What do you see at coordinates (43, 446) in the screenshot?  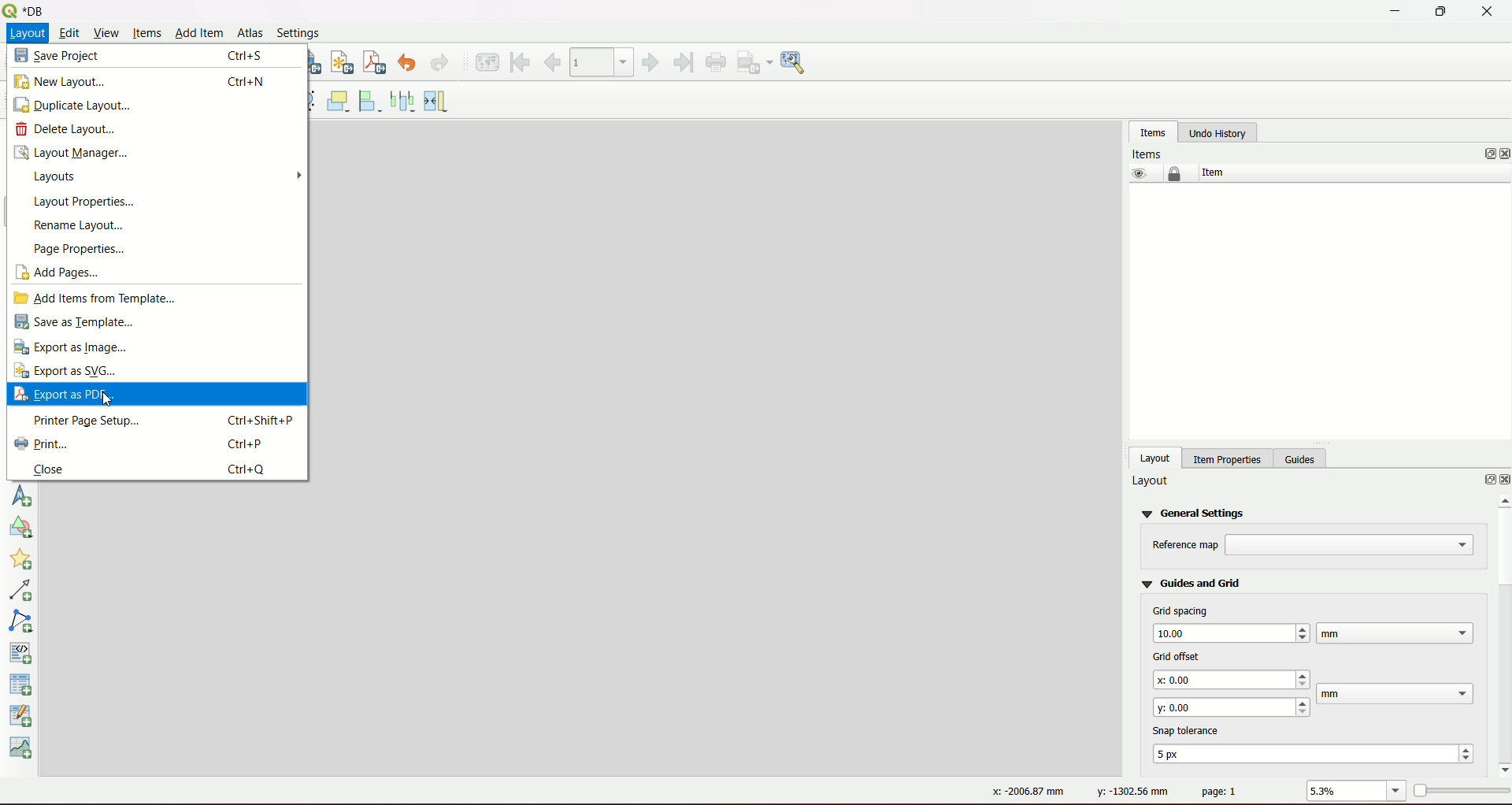 I see `print` at bounding box center [43, 446].